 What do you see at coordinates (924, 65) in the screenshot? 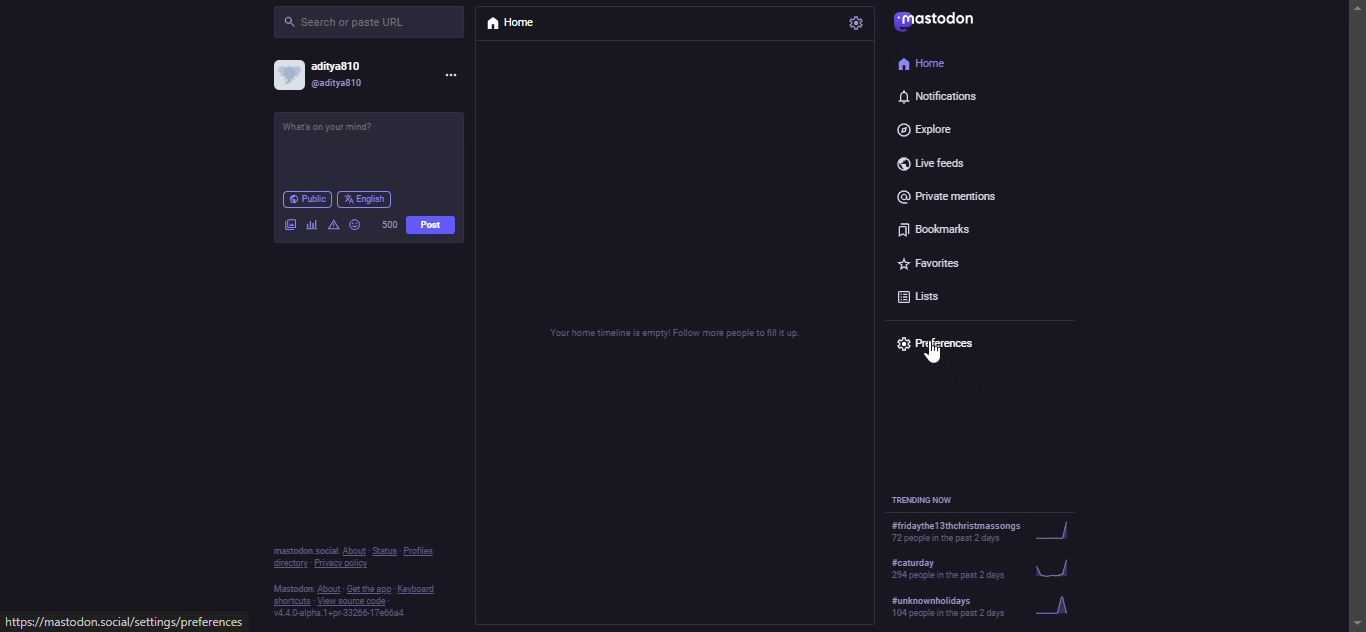
I see `home` at bounding box center [924, 65].